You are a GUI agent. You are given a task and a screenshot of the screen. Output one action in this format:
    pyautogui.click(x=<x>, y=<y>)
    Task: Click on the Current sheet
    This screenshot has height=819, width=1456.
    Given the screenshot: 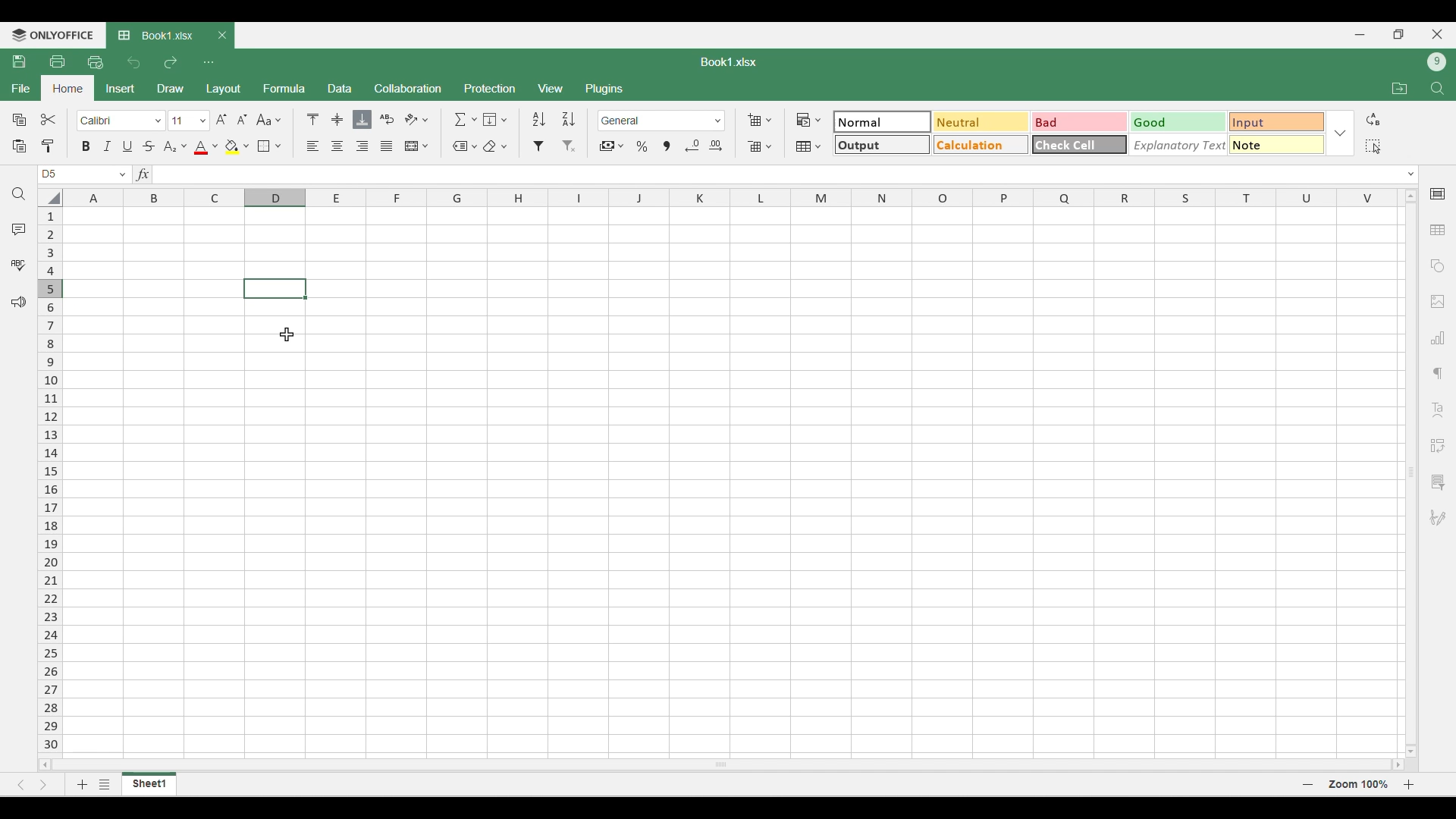 What is the action you would take?
    pyautogui.click(x=160, y=36)
    